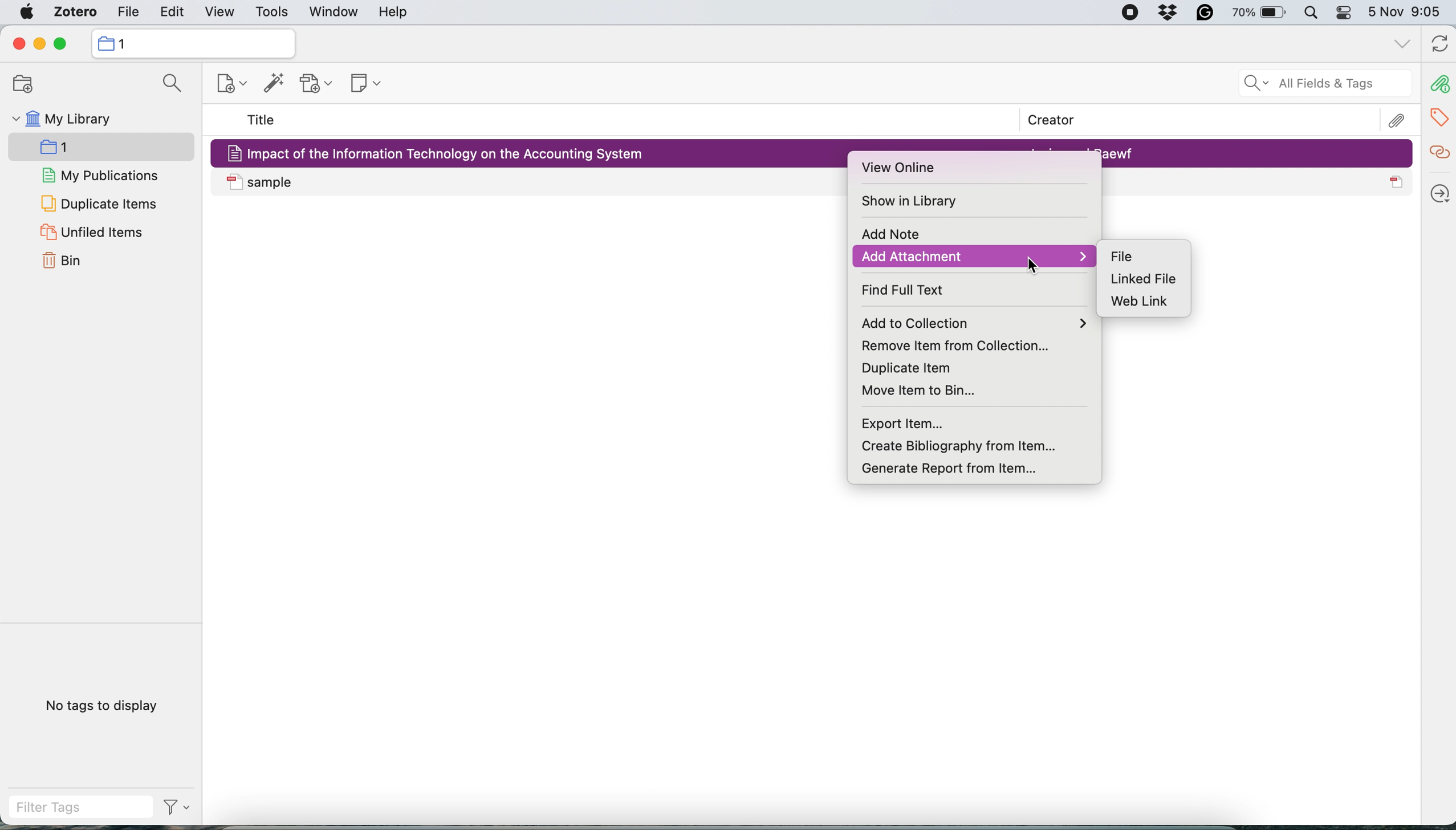 Image resolution: width=1456 pixels, height=830 pixels. Describe the element at coordinates (1170, 14) in the screenshot. I see `dropbox` at that location.